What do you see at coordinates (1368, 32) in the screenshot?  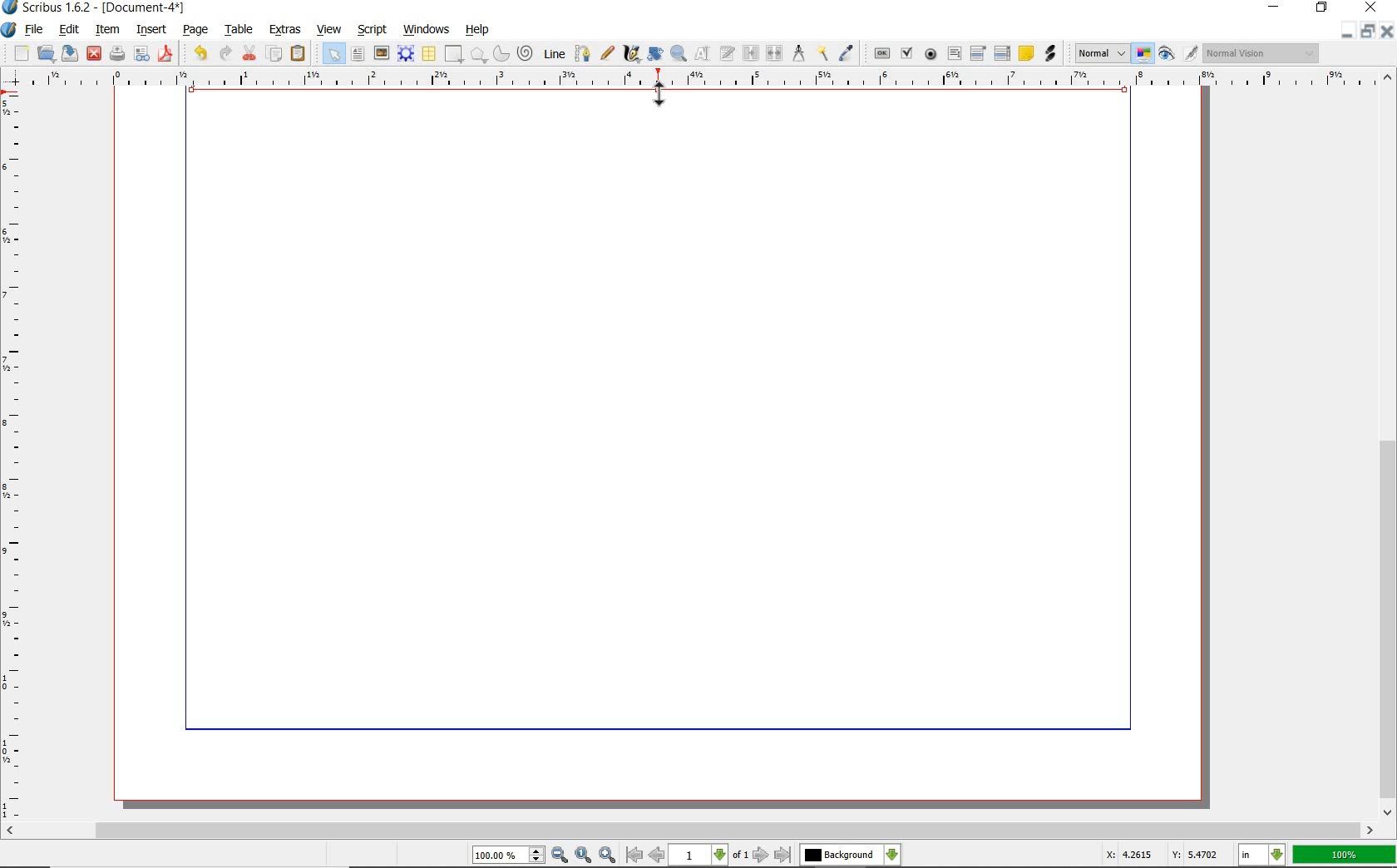 I see `restore` at bounding box center [1368, 32].